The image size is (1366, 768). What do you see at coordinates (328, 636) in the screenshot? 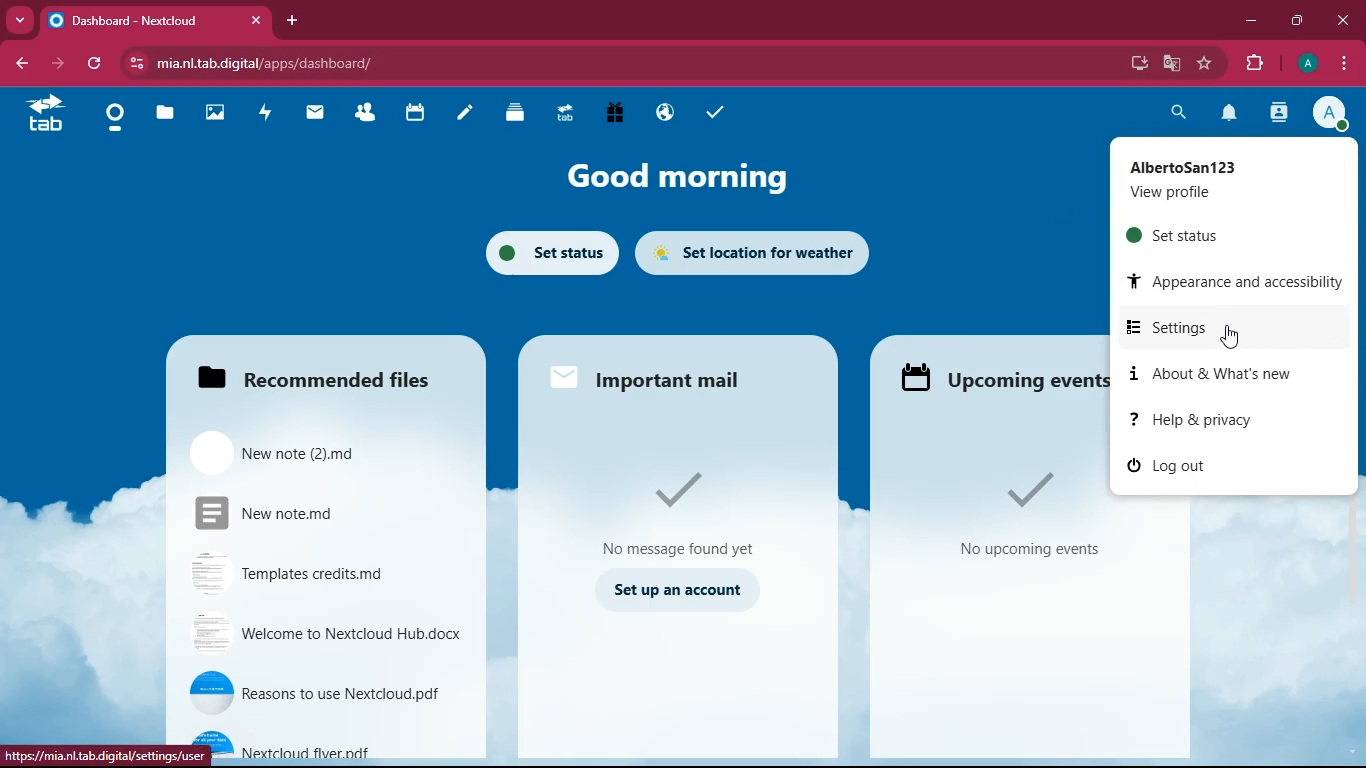
I see `Welcome to Nextcloud Hub.docx` at bounding box center [328, 636].